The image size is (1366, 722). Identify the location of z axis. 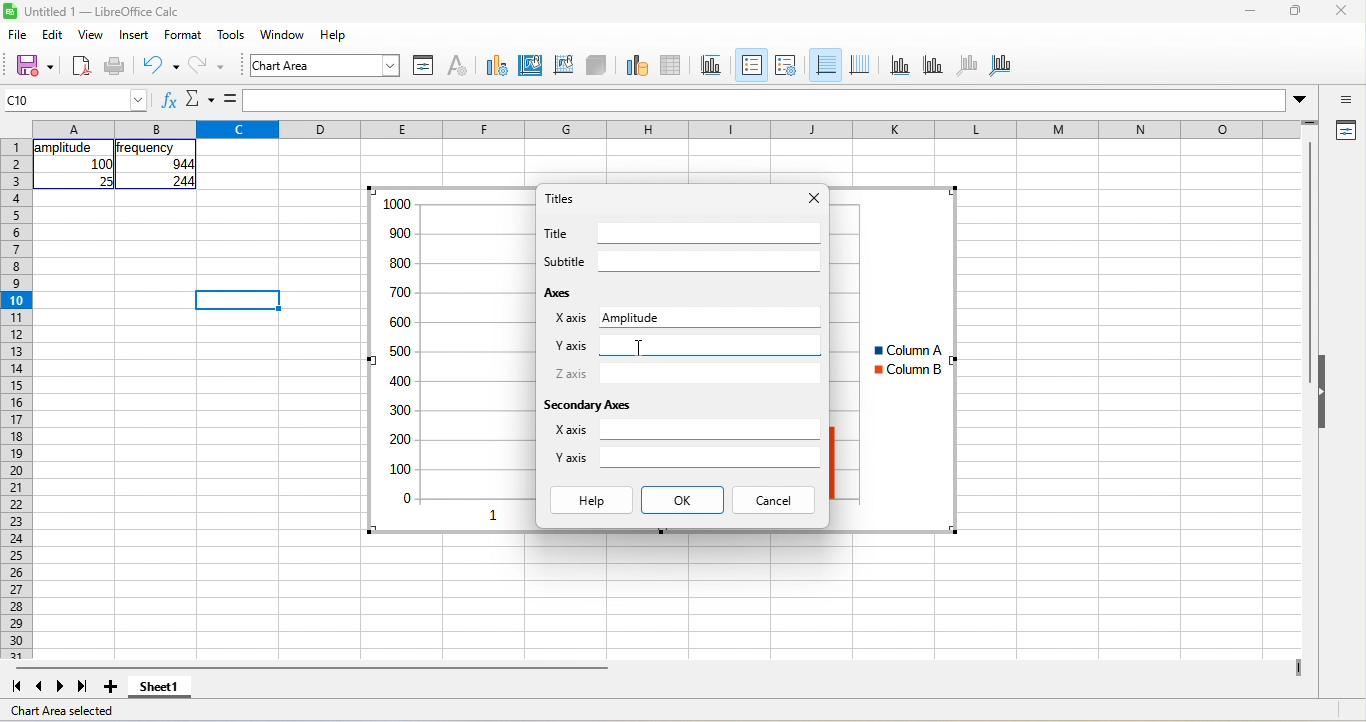
(968, 66).